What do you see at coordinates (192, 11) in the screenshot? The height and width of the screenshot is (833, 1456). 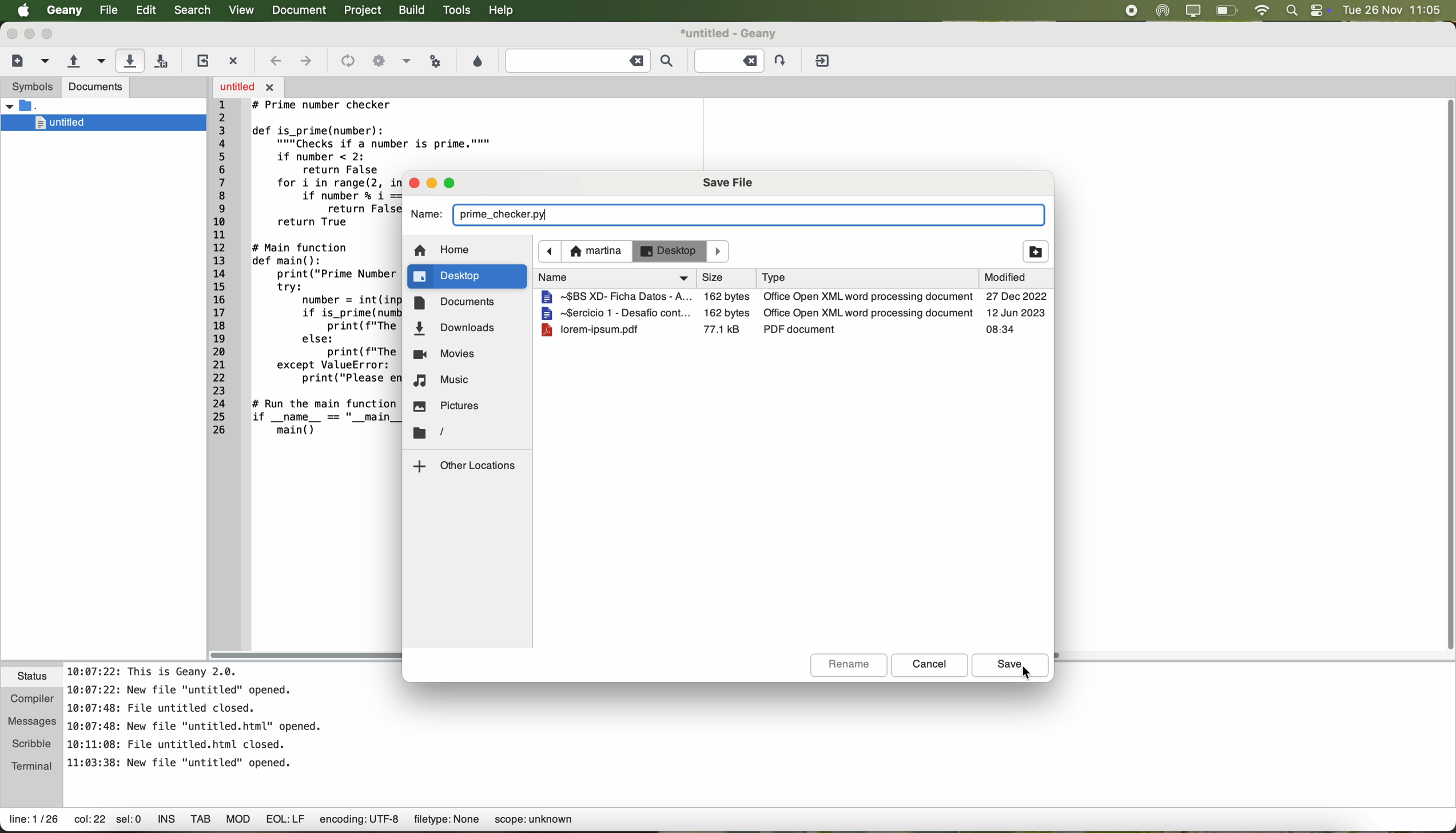 I see `search` at bounding box center [192, 11].